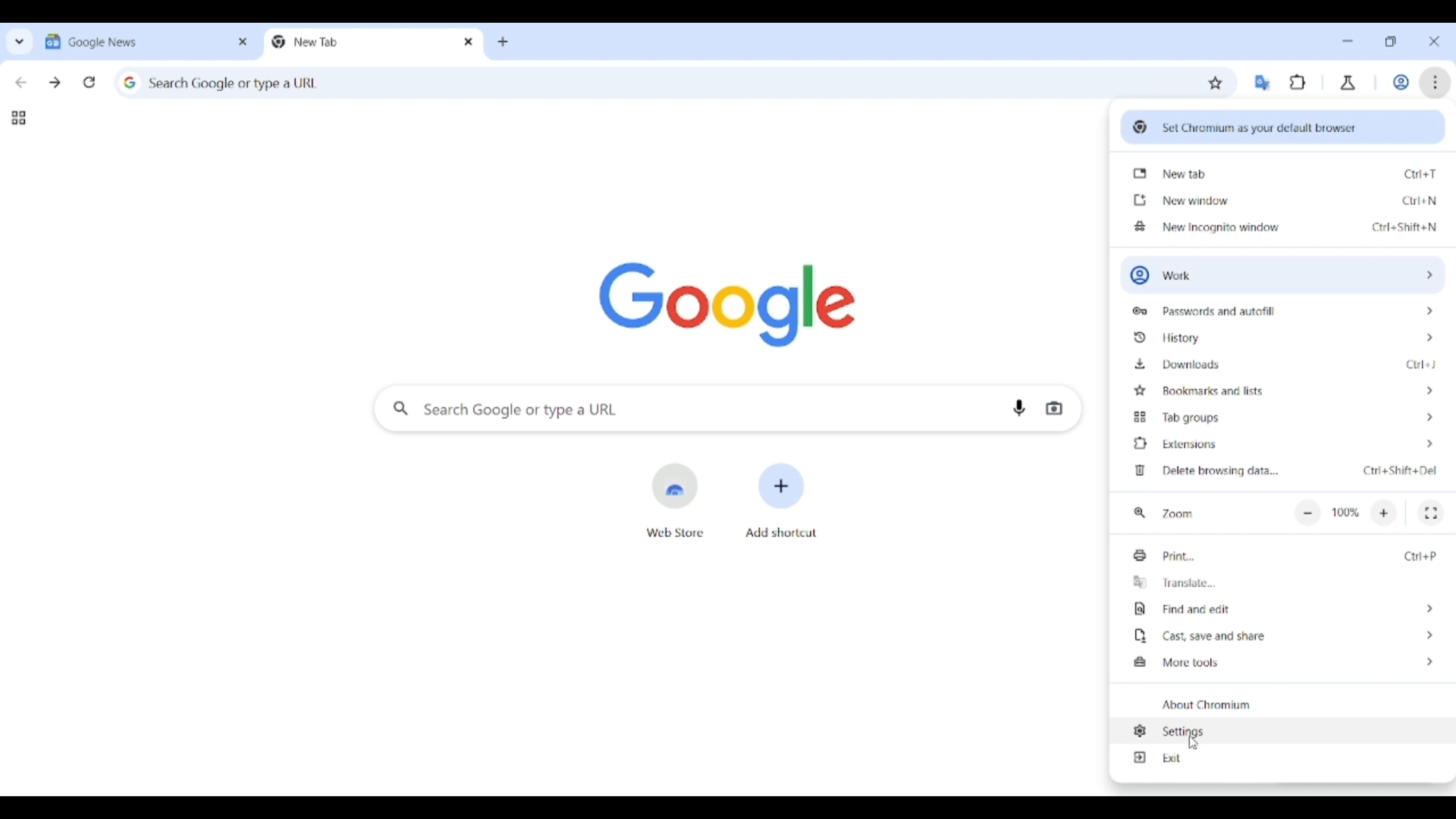 The image size is (1456, 819). Describe the element at coordinates (89, 82) in the screenshot. I see `Reload page` at that location.